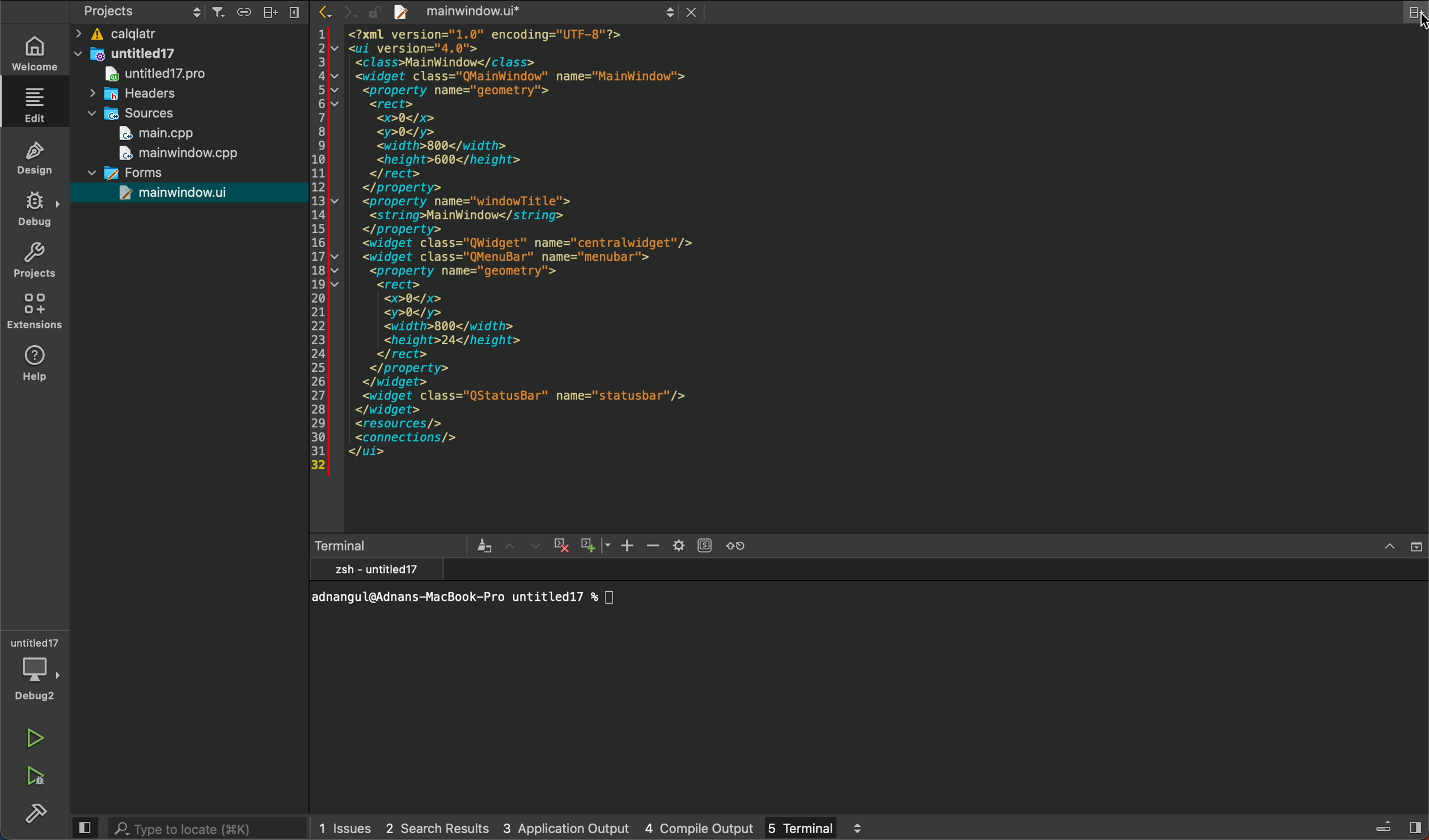 The image size is (1429, 840). Describe the element at coordinates (346, 827) in the screenshot. I see `issues` at that location.